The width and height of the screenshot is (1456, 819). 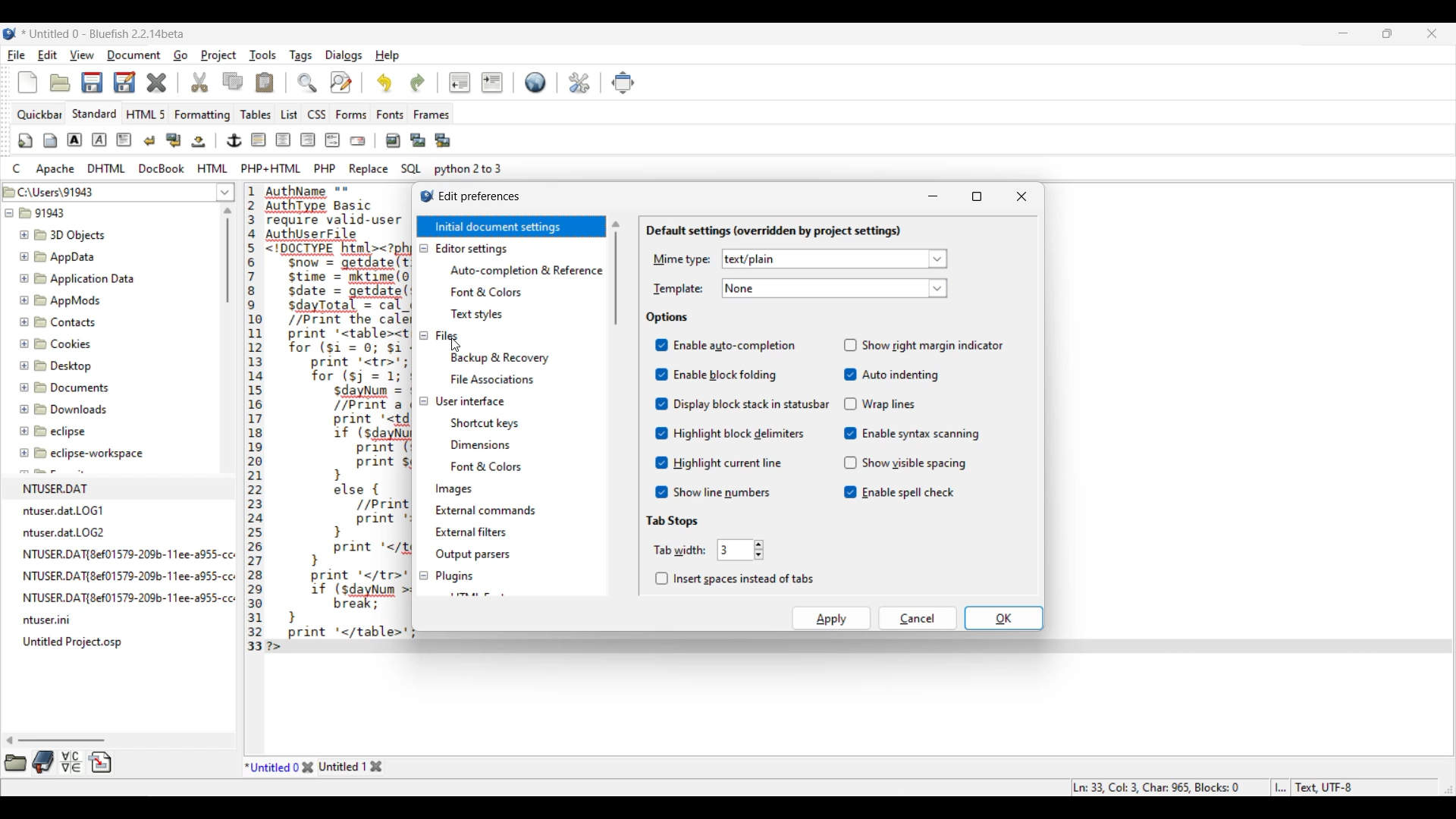 What do you see at coordinates (447, 336) in the screenshot?
I see `Files settings` at bounding box center [447, 336].